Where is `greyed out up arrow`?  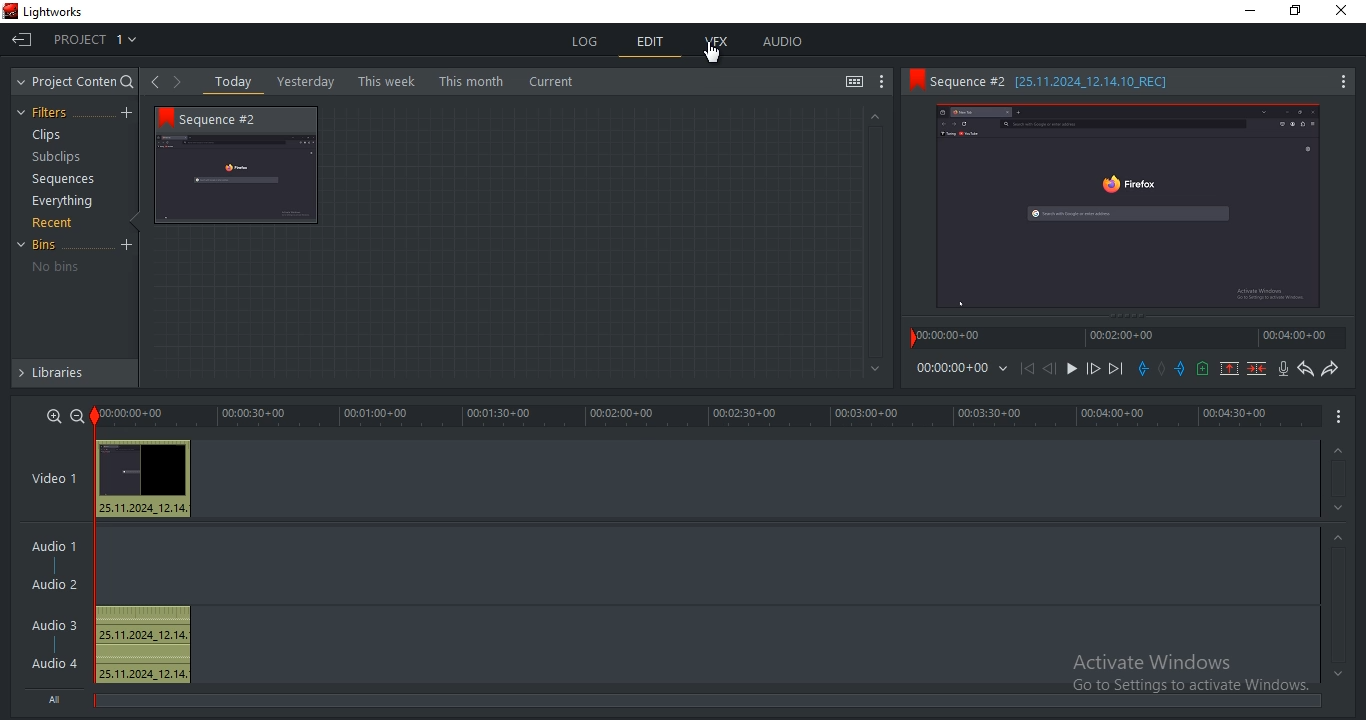
greyed out up arrow is located at coordinates (1340, 536).